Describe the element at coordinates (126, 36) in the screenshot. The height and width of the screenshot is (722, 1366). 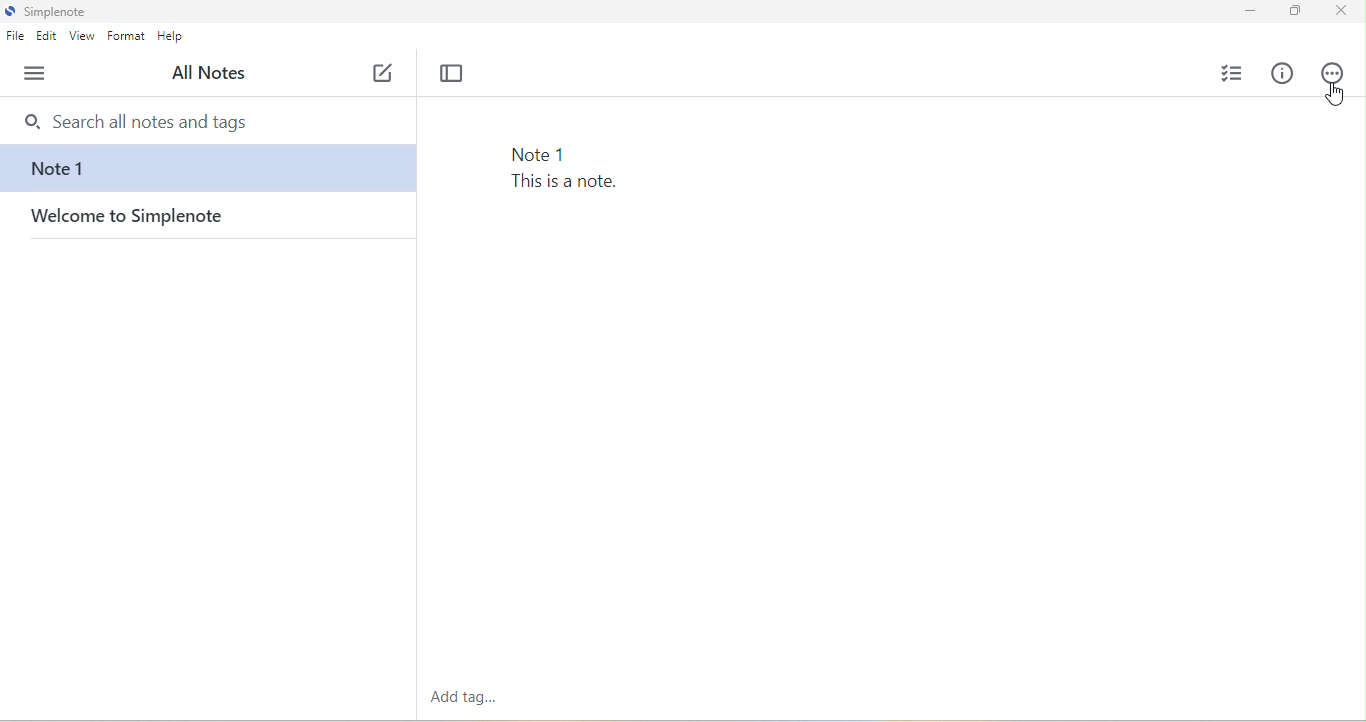
I see `format` at that location.